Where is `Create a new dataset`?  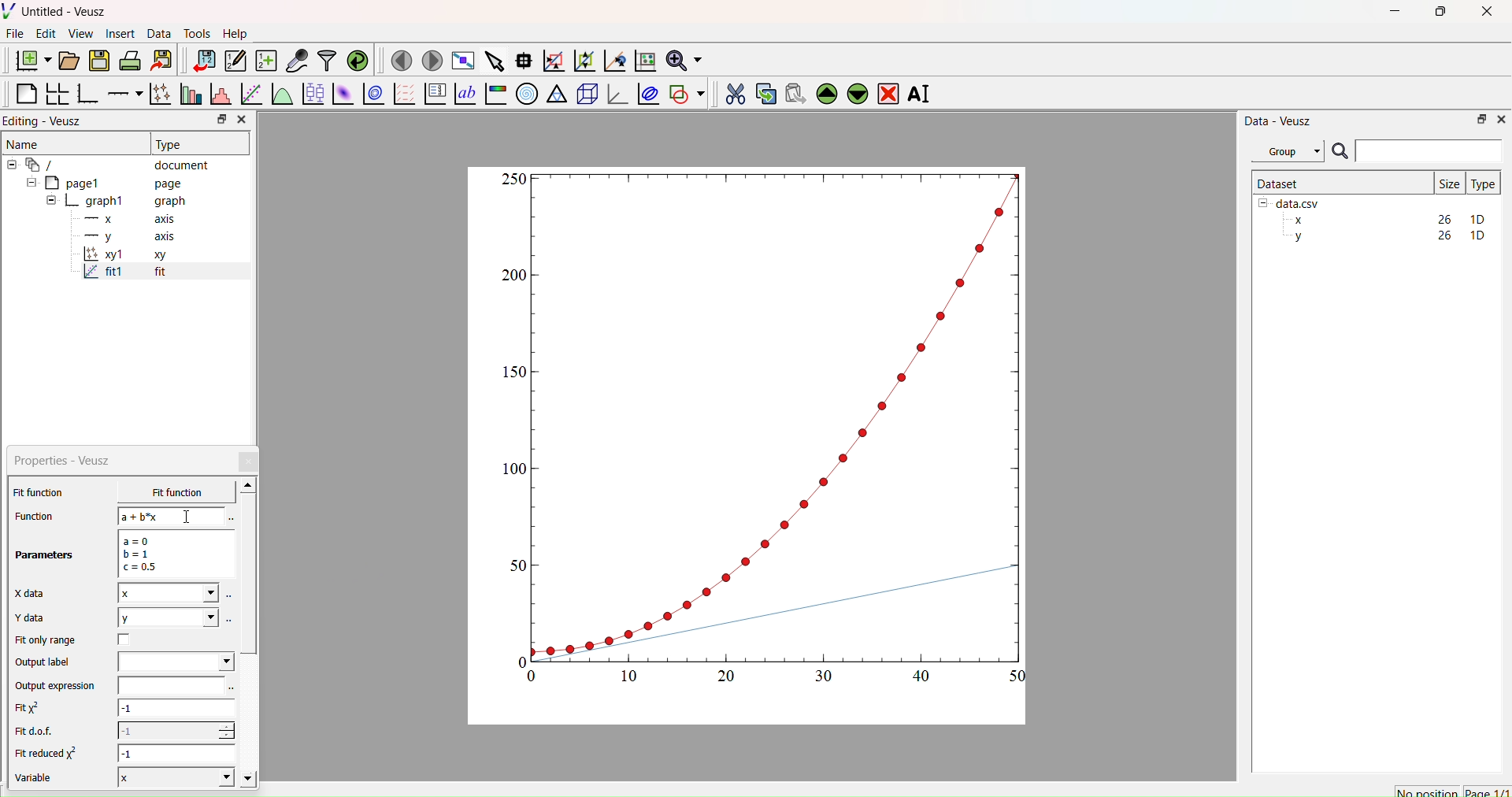
Create a new dataset is located at coordinates (265, 61).